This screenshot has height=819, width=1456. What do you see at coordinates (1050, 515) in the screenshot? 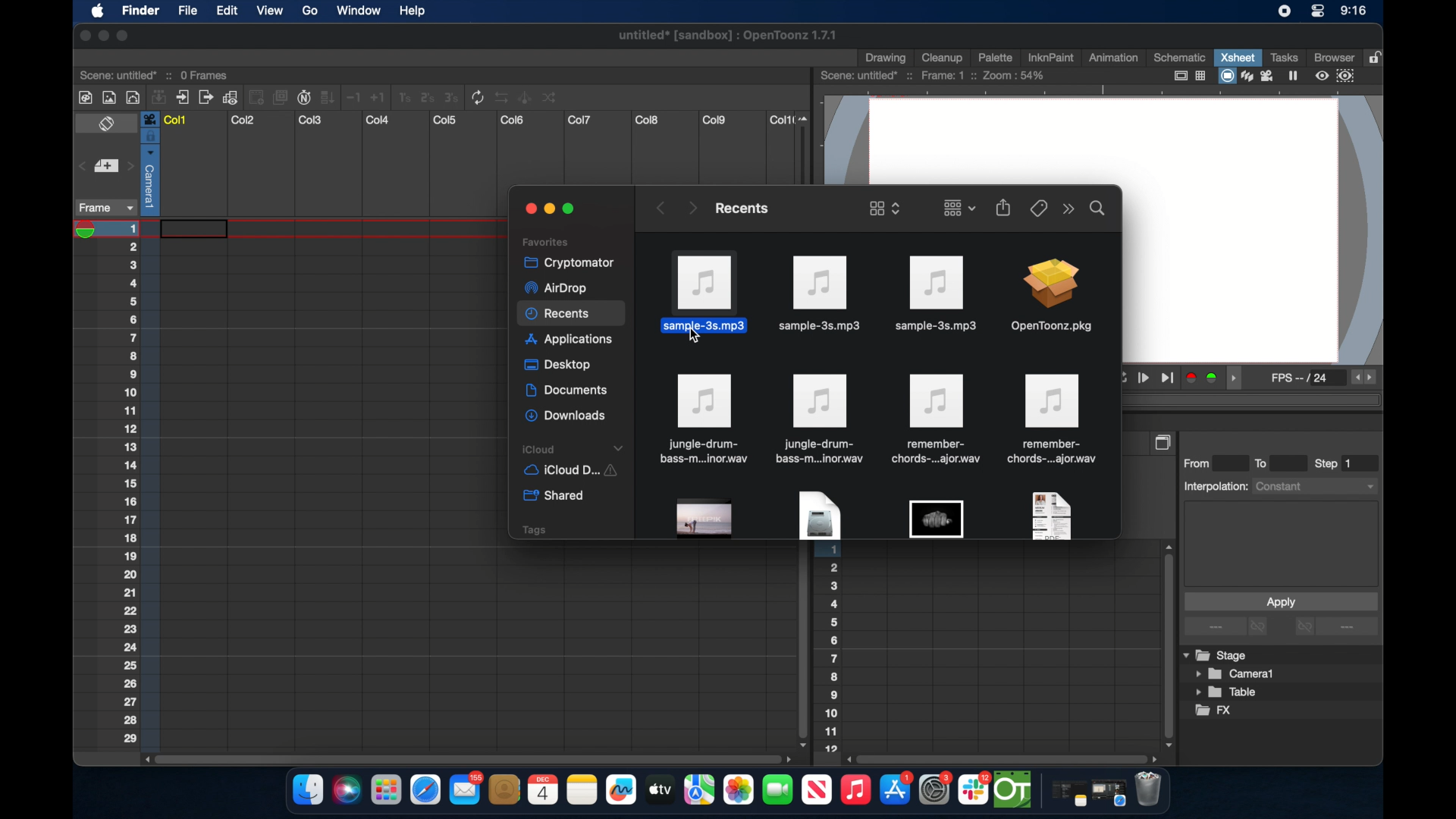
I see `obscure icon` at bounding box center [1050, 515].